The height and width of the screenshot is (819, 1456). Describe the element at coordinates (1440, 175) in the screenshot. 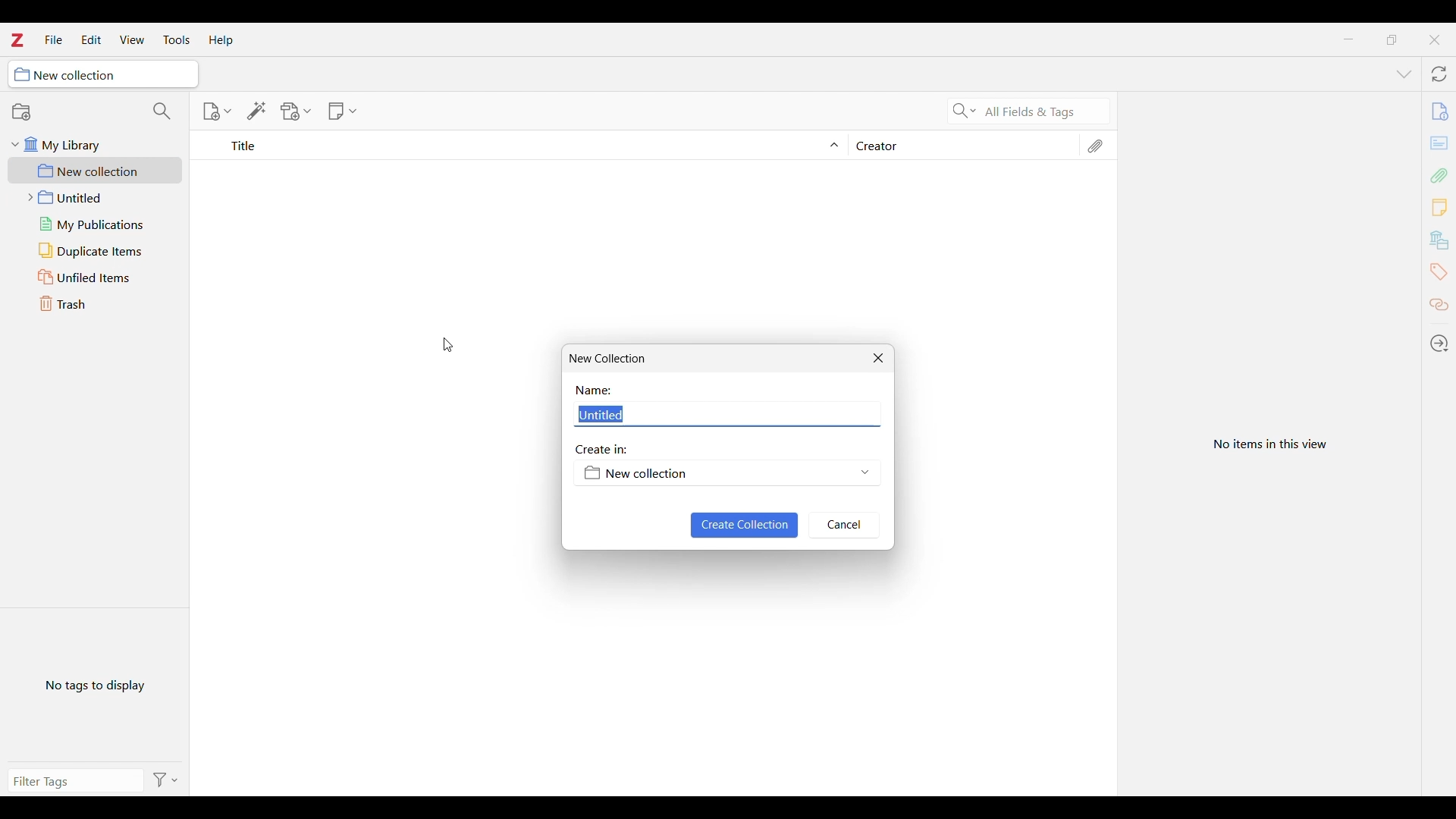

I see `Add attachment ` at that location.